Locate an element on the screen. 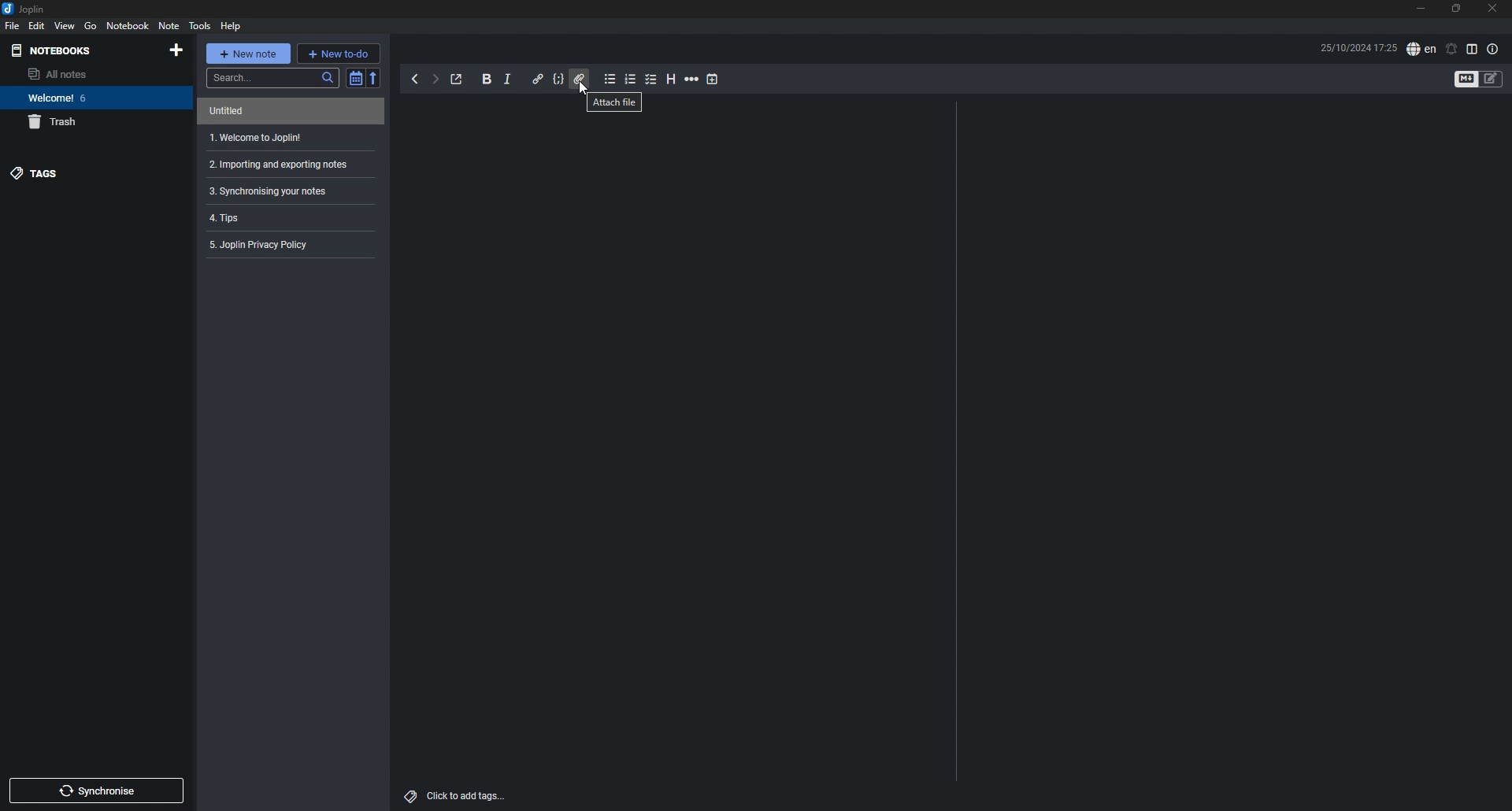 The image size is (1512, 811). joplin is located at coordinates (24, 8).